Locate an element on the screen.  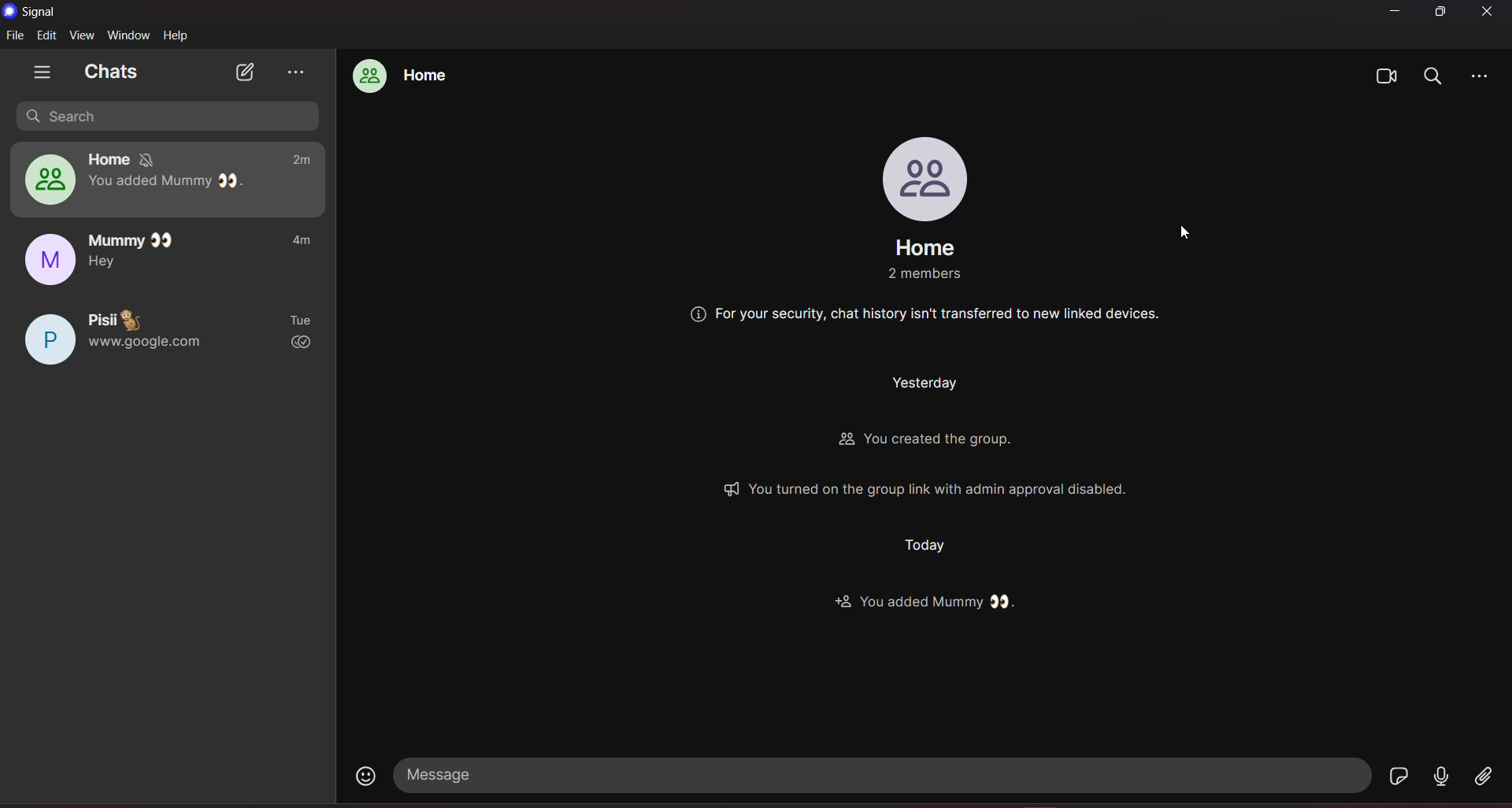
message is located at coordinates (884, 775).